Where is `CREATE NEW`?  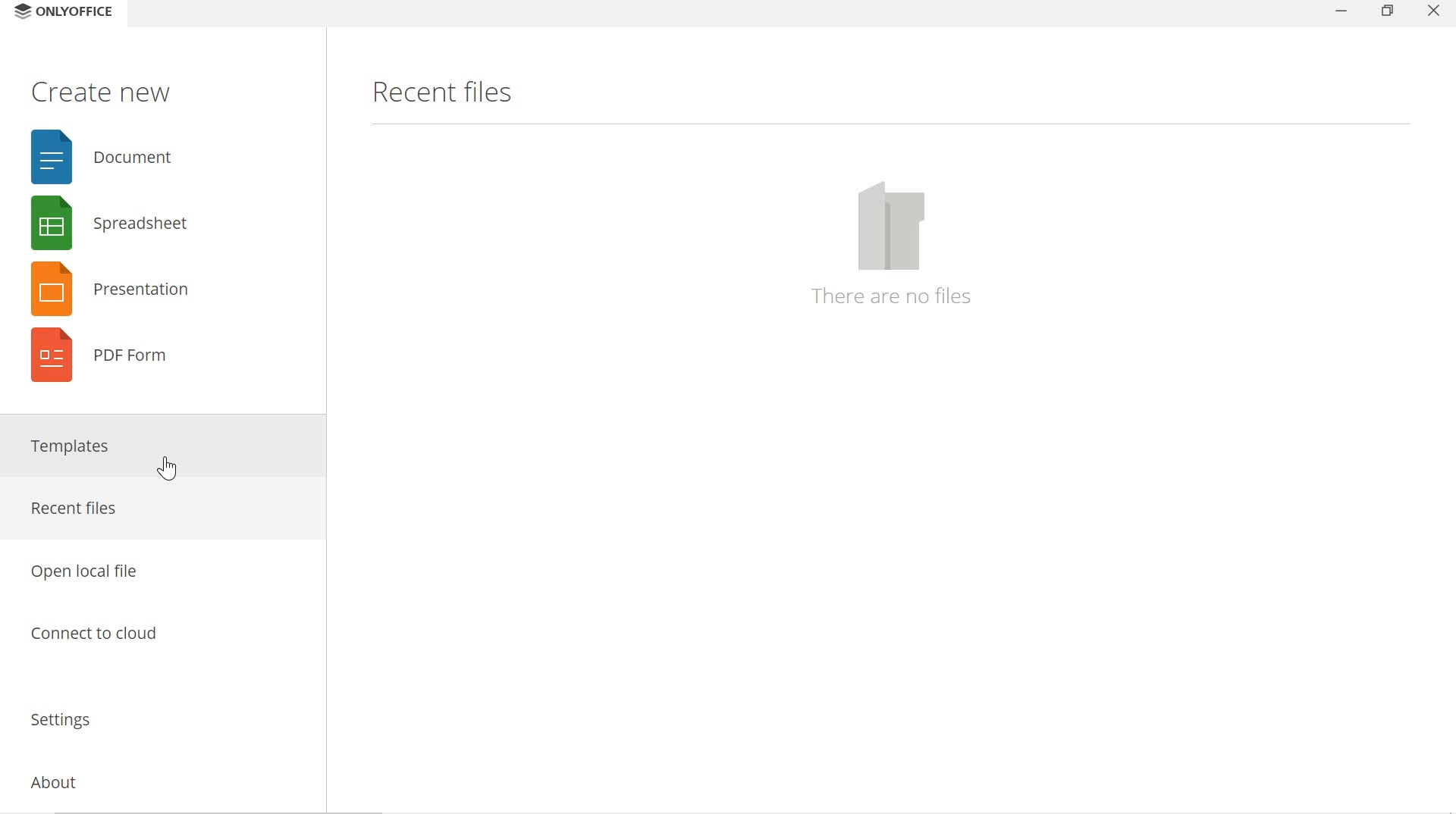
CREATE NEW is located at coordinates (101, 91).